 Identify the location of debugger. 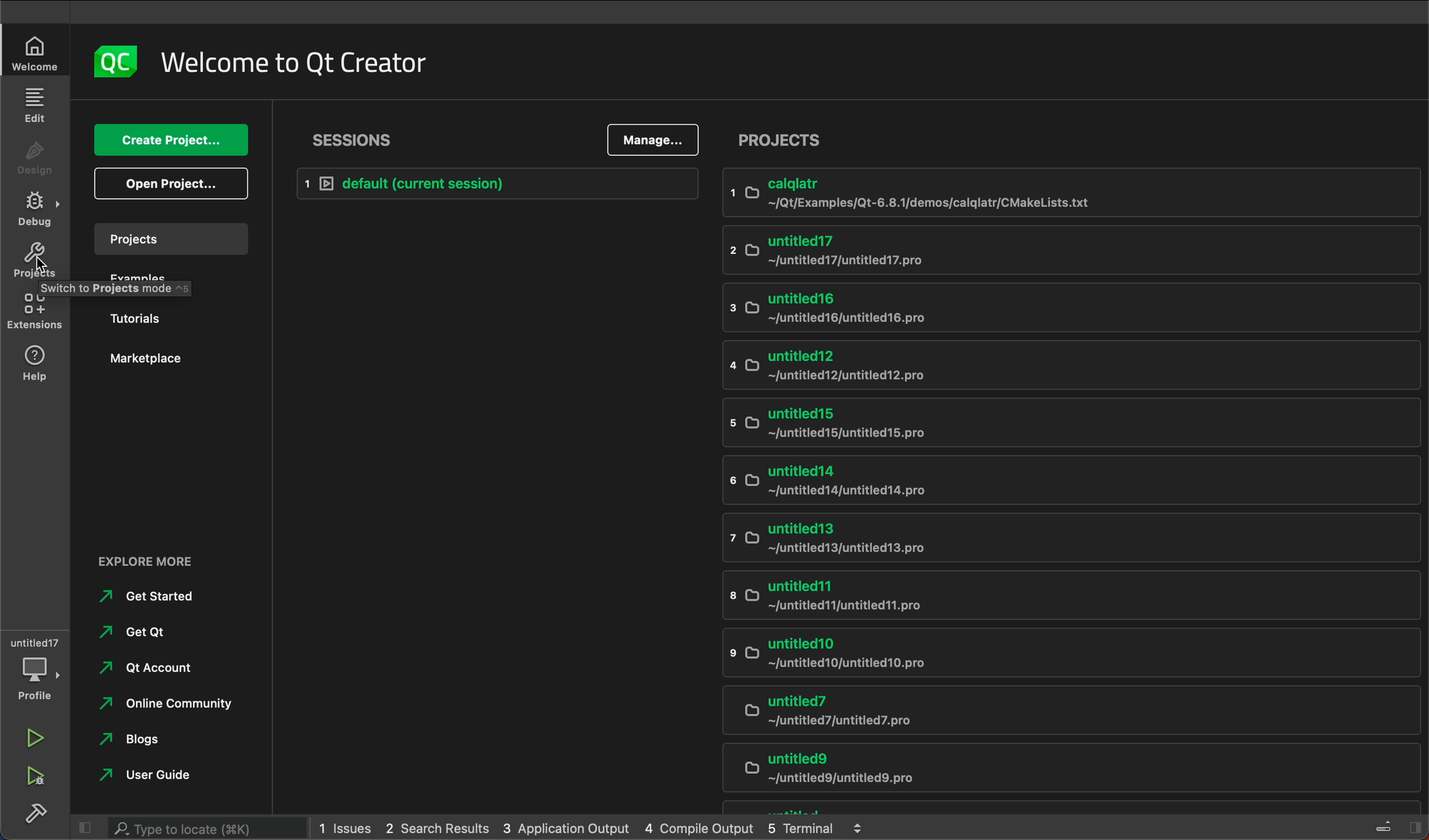
(37, 664).